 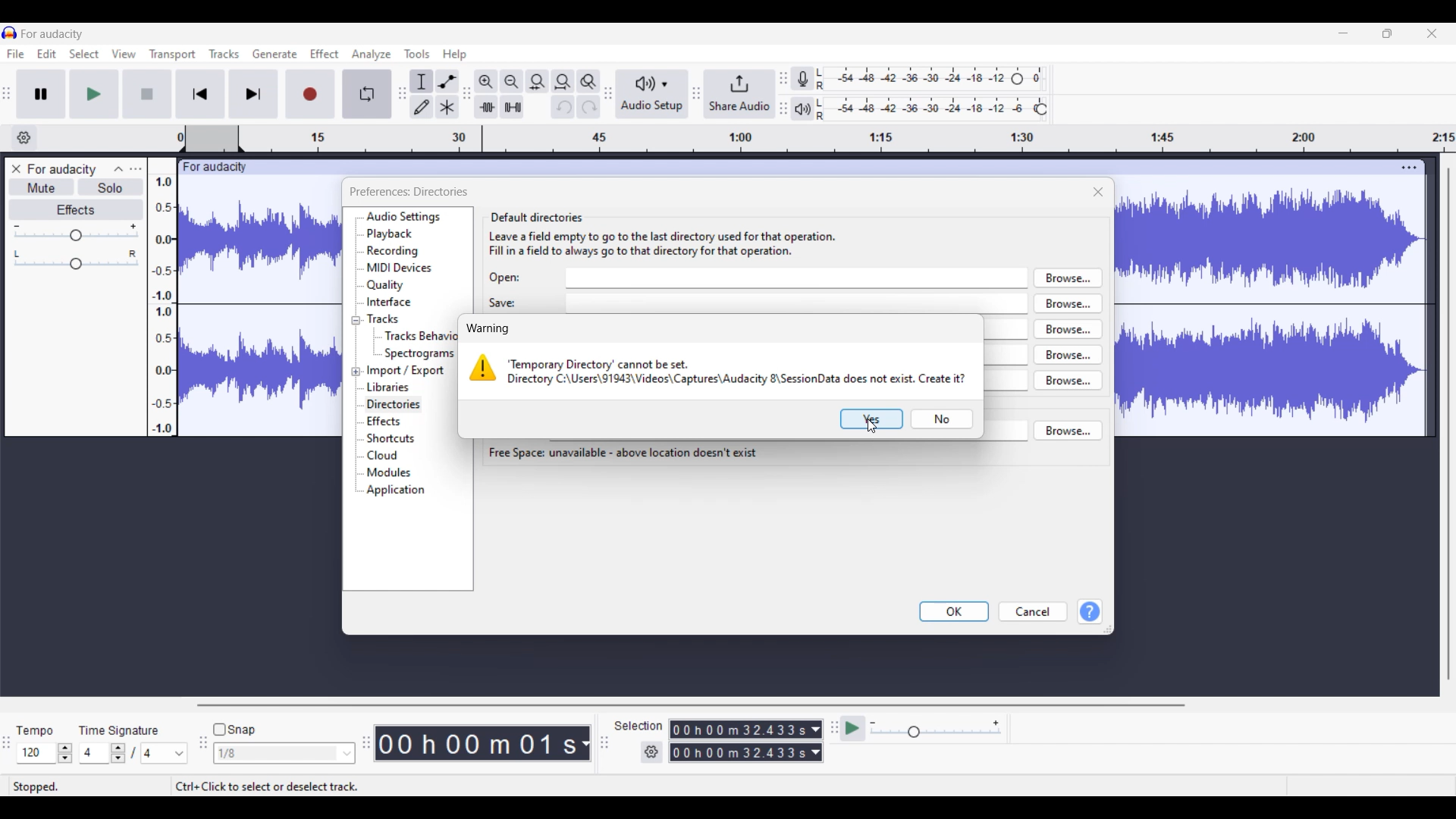 What do you see at coordinates (1410, 168) in the screenshot?
I see `Track settings ` at bounding box center [1410, 168].